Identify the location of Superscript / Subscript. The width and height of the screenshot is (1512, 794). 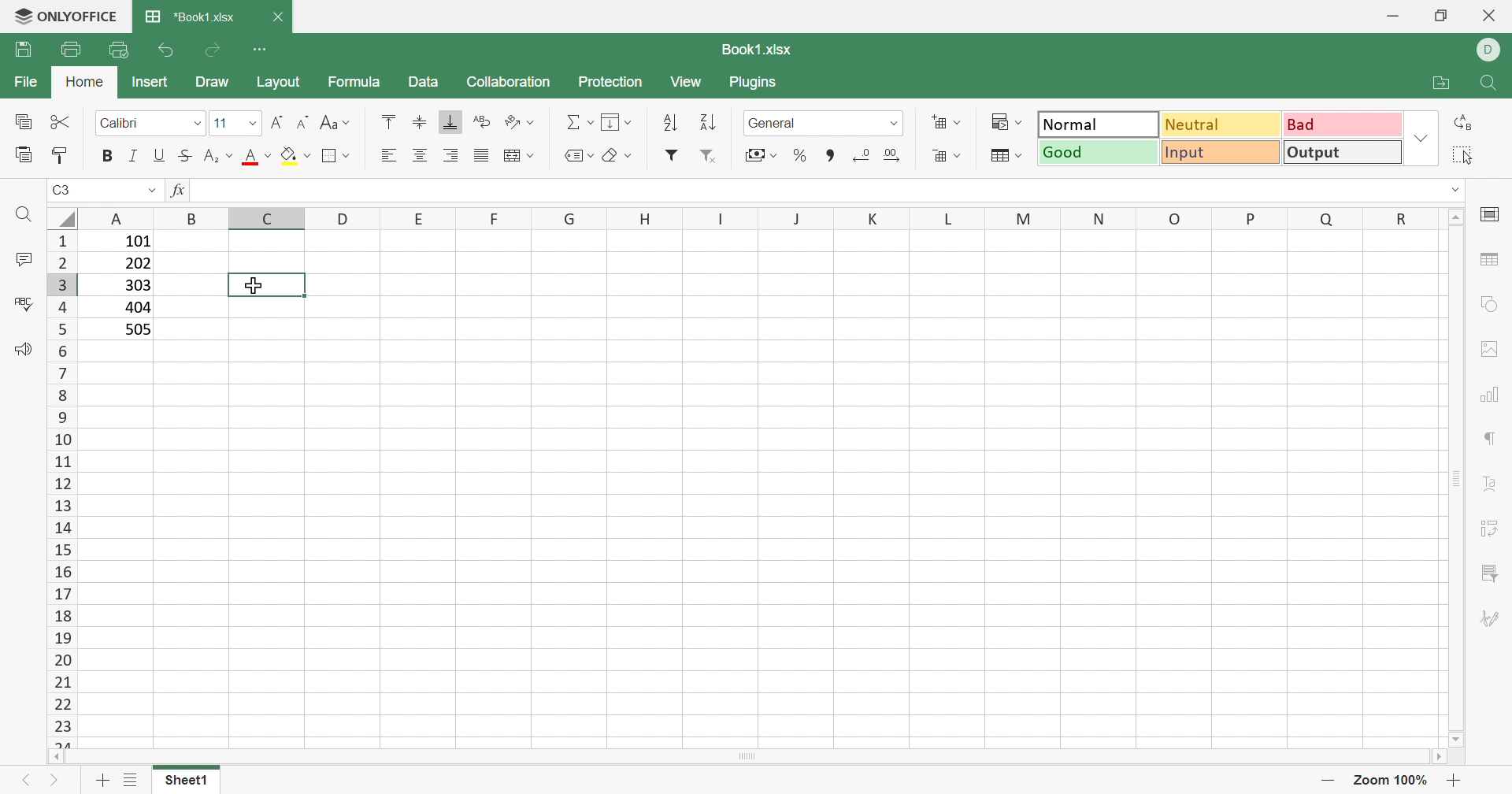
(219, 158).